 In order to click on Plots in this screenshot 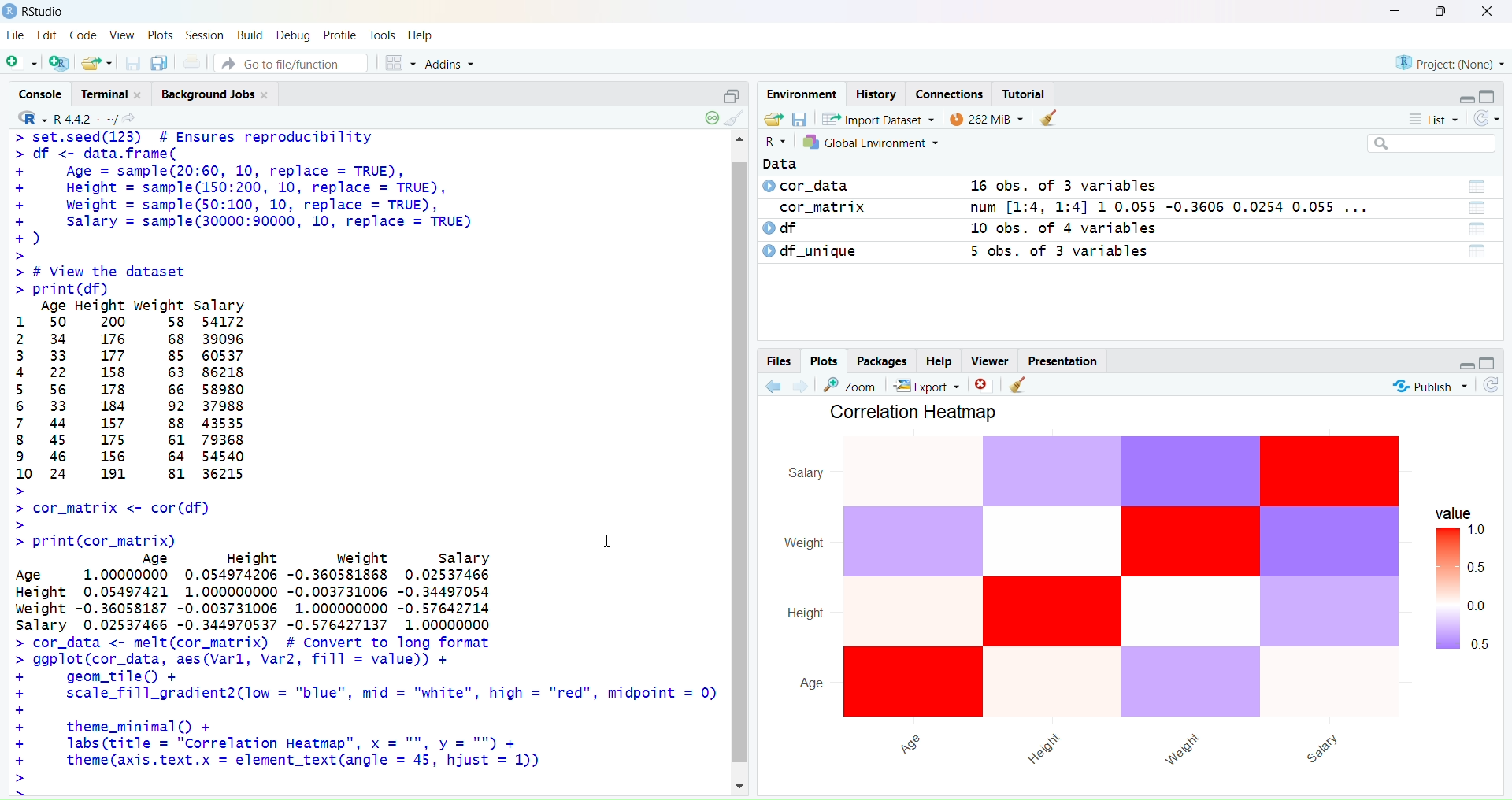, I will do `click(825, 361)`.